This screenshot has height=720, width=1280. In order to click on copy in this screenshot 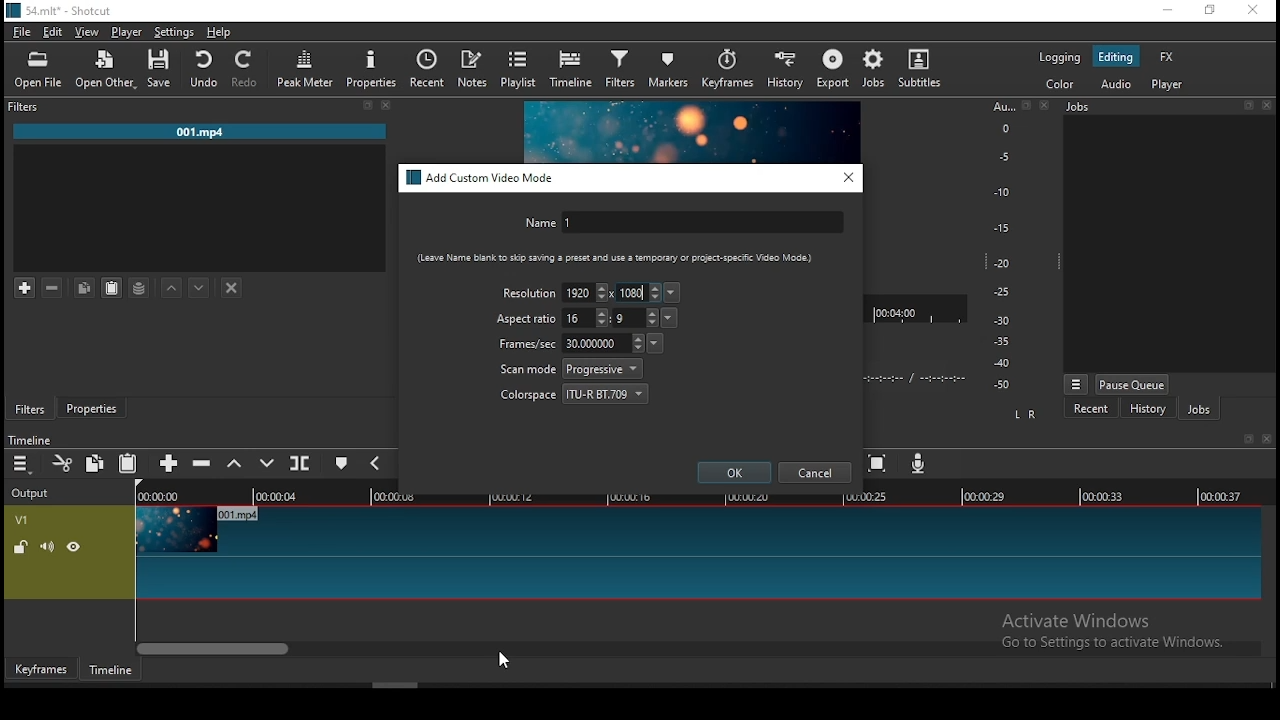, I will do `click(84, 287)`.